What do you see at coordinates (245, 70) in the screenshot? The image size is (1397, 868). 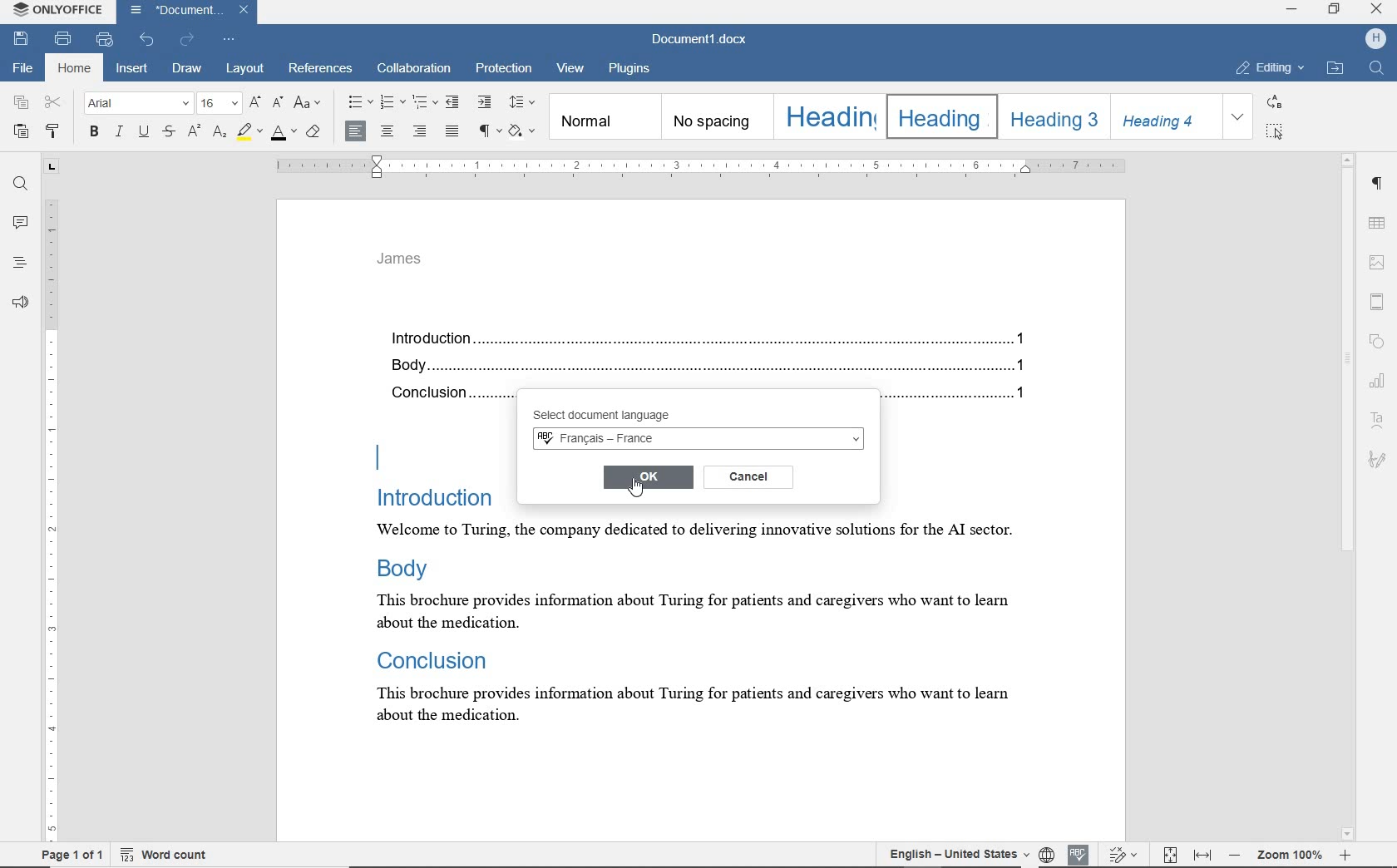 I see `layout` at bounding box center [245, 70].